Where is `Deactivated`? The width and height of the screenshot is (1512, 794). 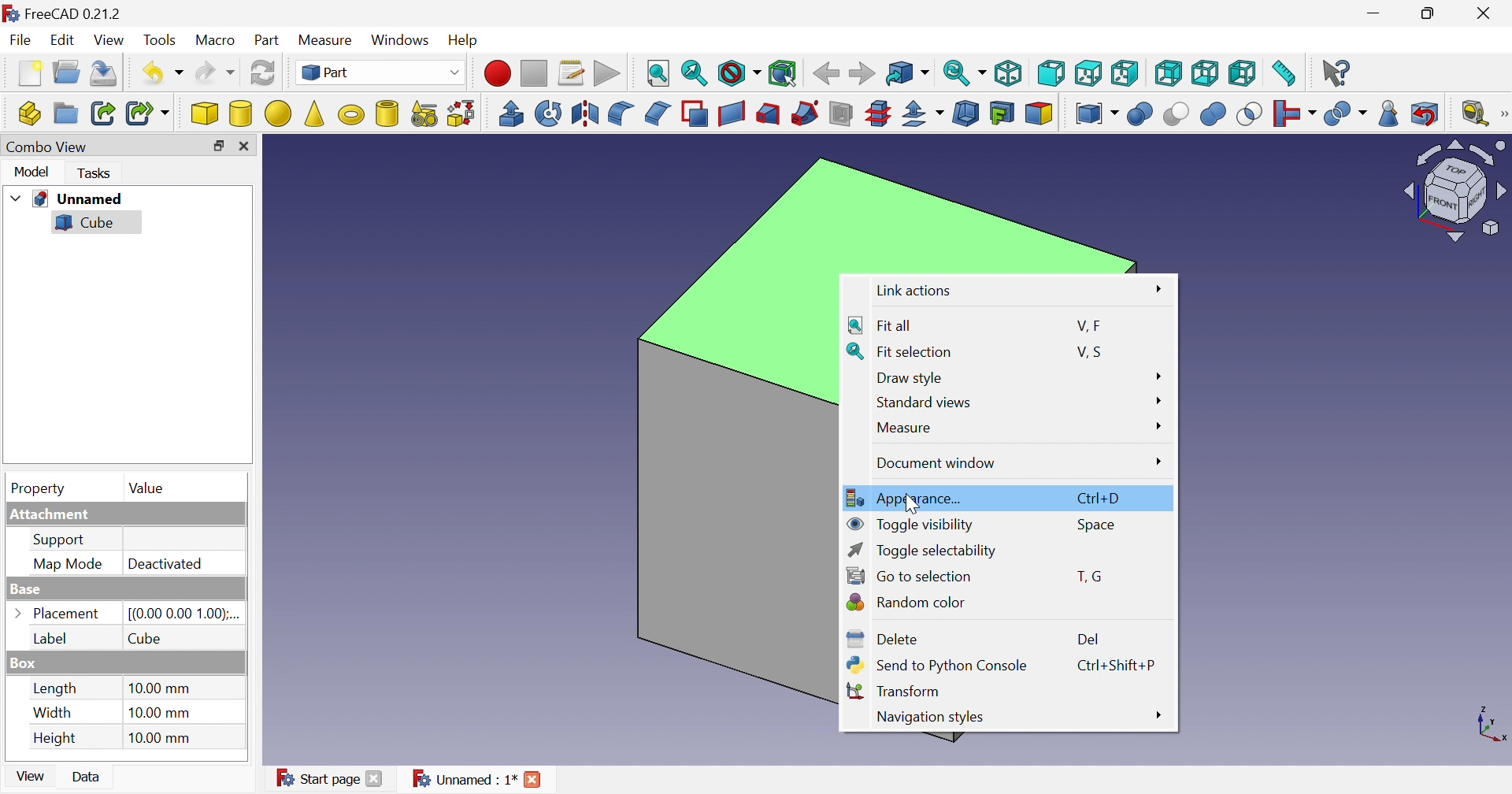 Deactivated is located at coordinates (165, 562).